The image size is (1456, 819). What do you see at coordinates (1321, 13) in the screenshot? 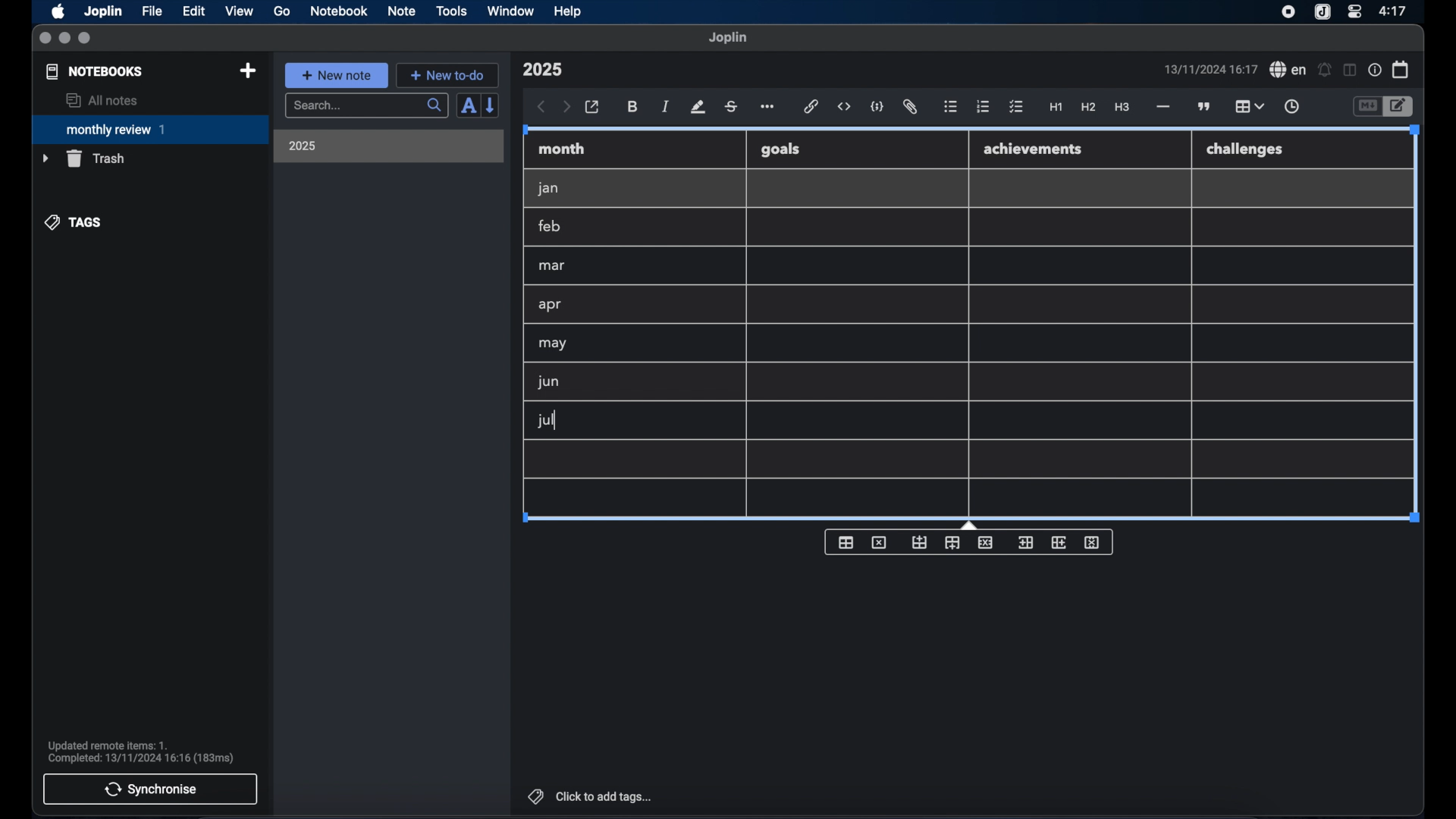
I see `joplin icon` at bounding box center [1321, 13].